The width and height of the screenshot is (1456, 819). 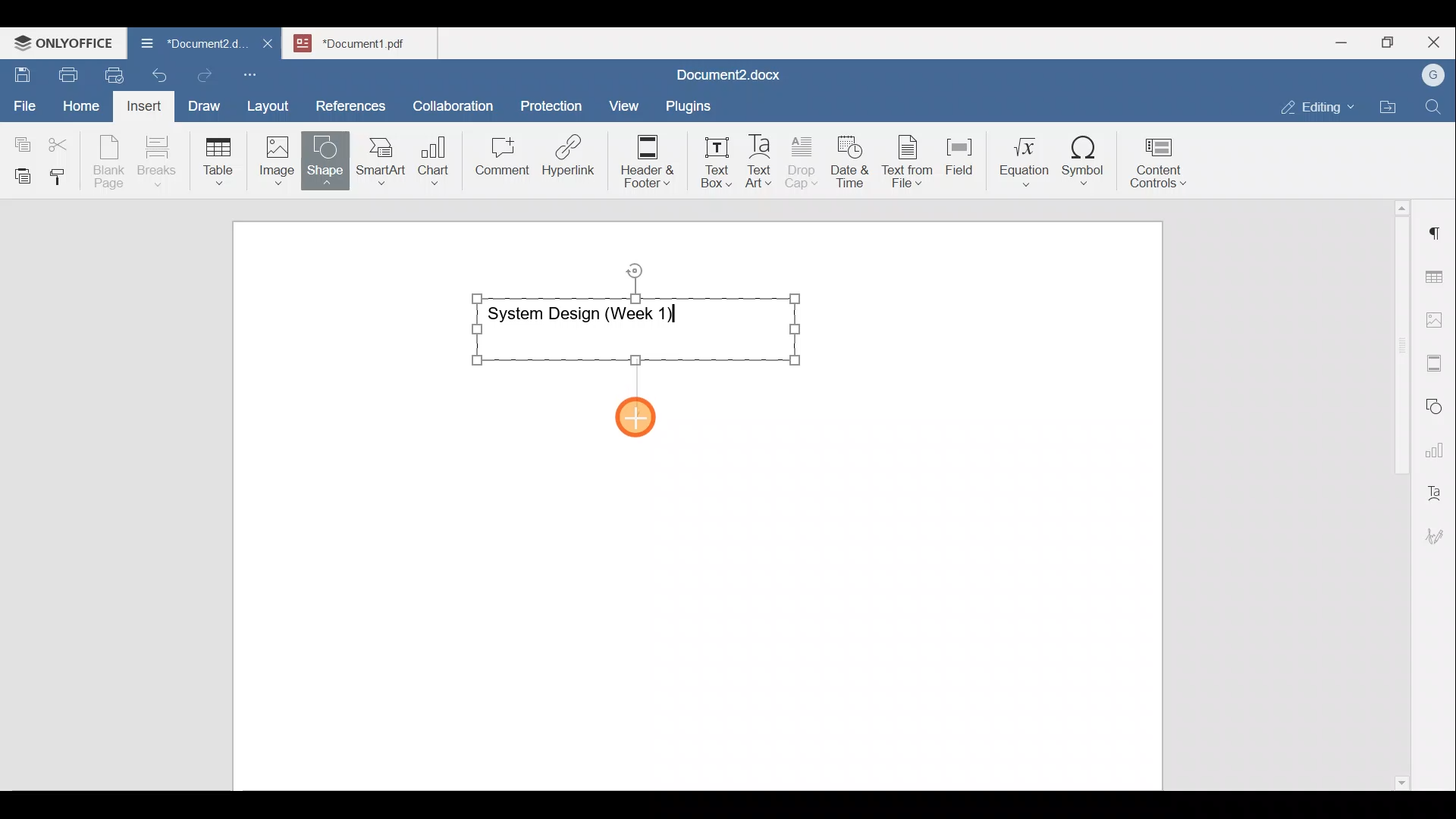 I want to click on Equation, so click(x=1028, y=161).